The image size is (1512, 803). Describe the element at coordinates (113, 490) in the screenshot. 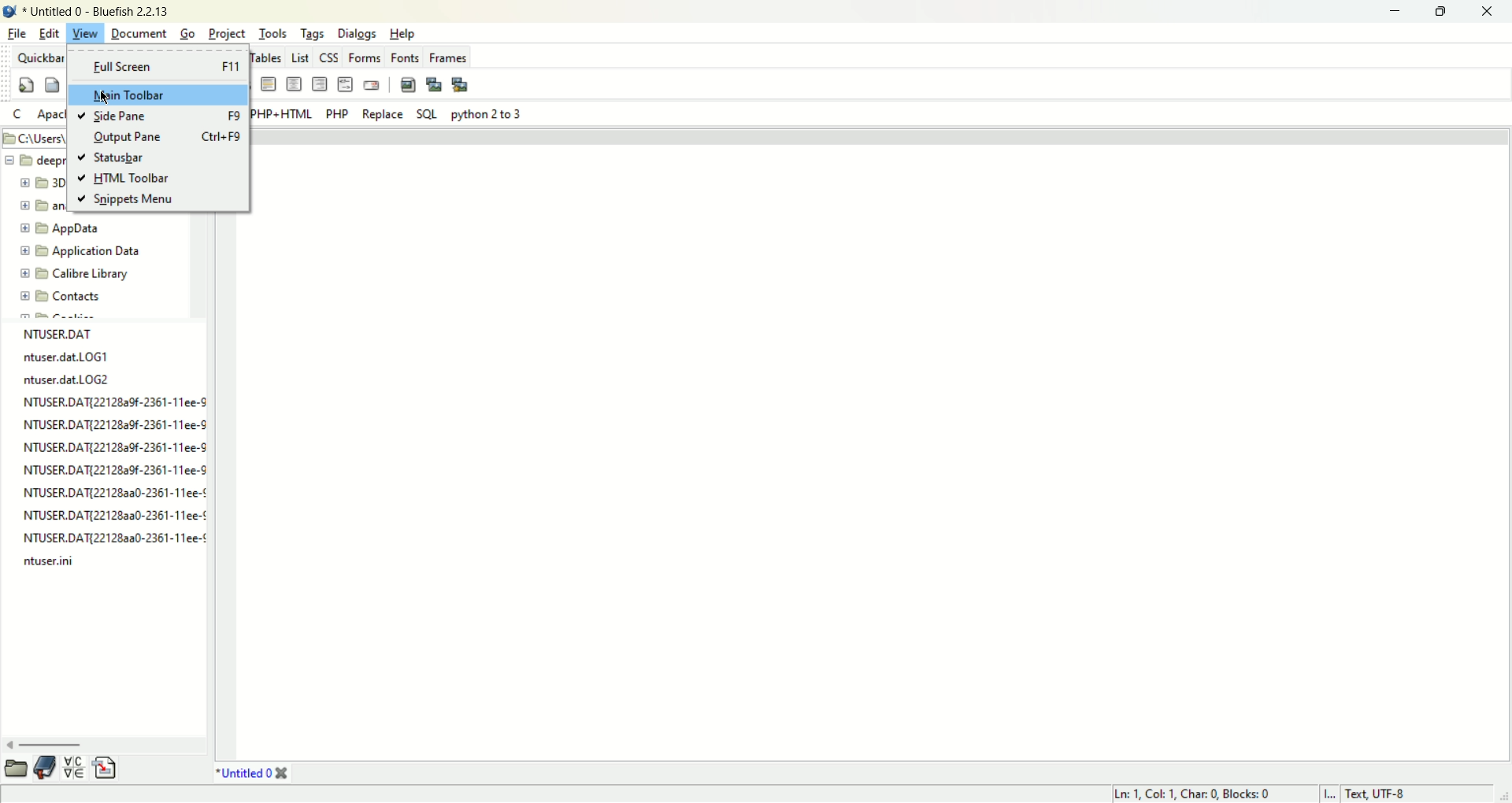

I see `NTUSER.DAT{221282a0-2361-11ee-¢` at that location.